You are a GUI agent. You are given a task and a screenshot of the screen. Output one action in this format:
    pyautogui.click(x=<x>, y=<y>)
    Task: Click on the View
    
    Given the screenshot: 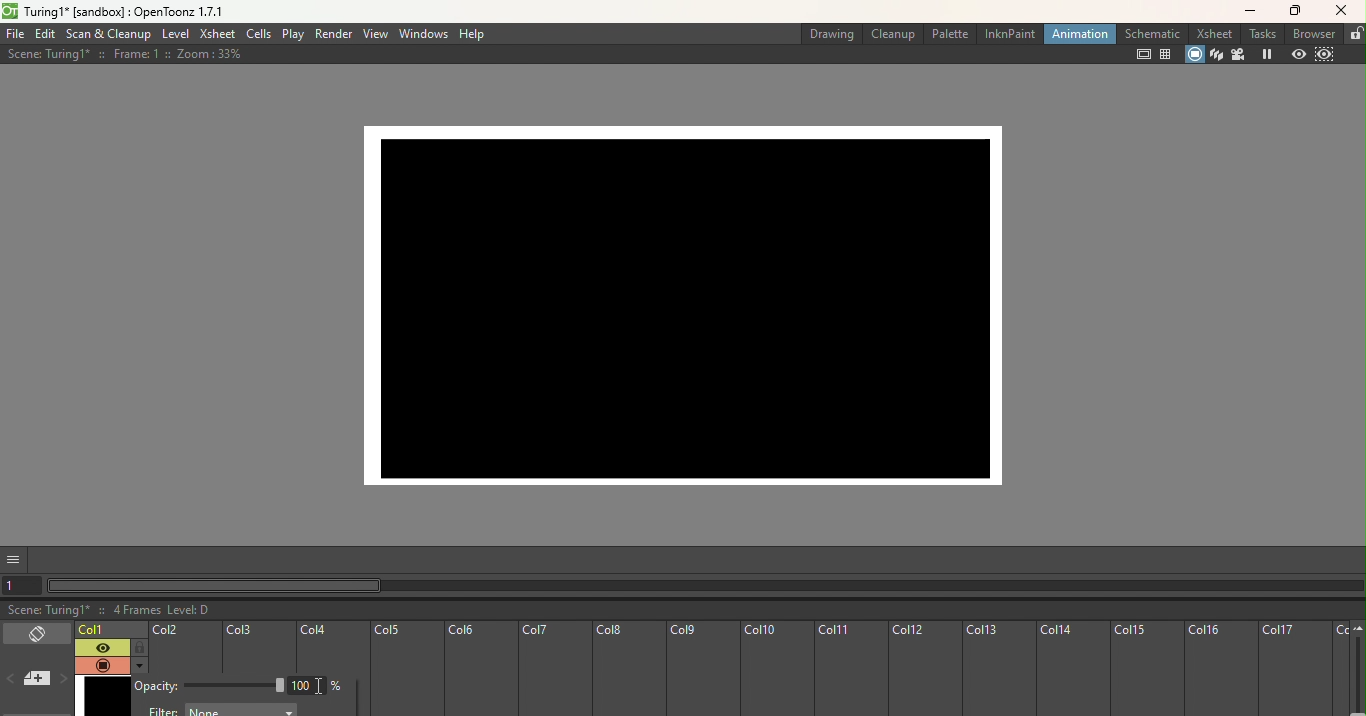 What is the action you would take?
    pyautogui.click(x=373, y=34)
    